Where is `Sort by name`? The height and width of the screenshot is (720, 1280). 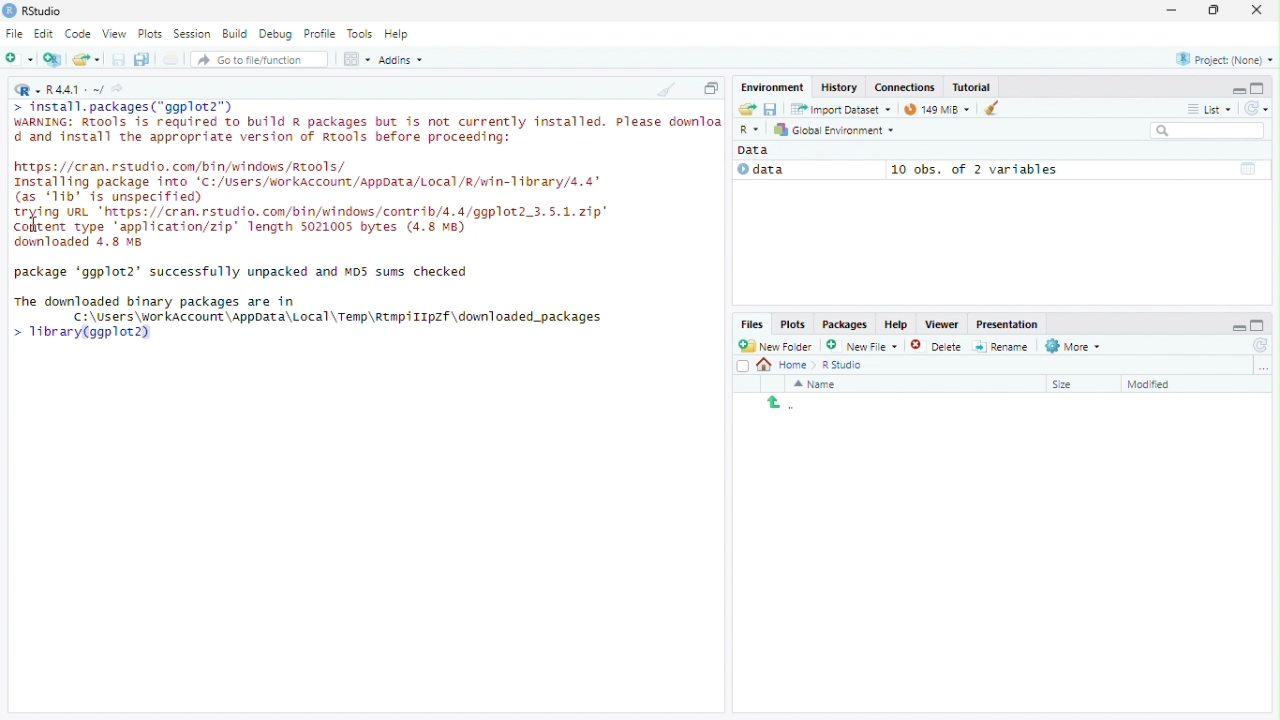 Sort by name is located at coordinates (821, 384).